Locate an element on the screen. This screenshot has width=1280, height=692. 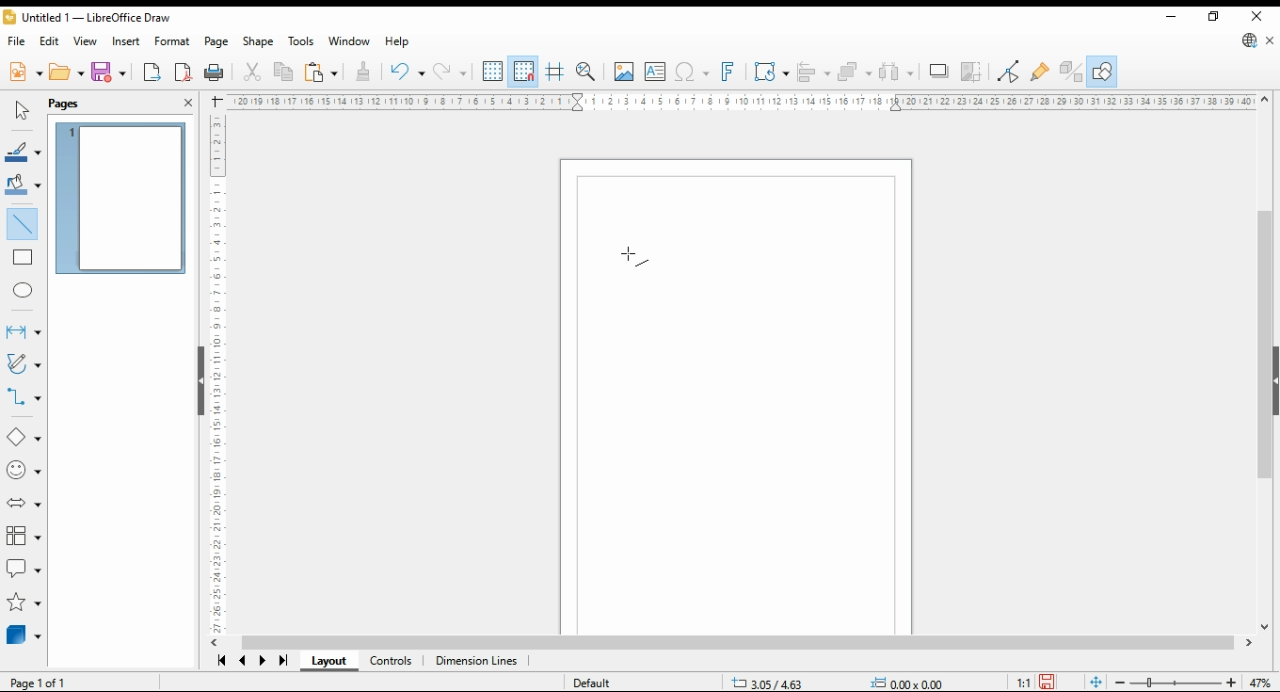
view is located at coordinates (86, 41).